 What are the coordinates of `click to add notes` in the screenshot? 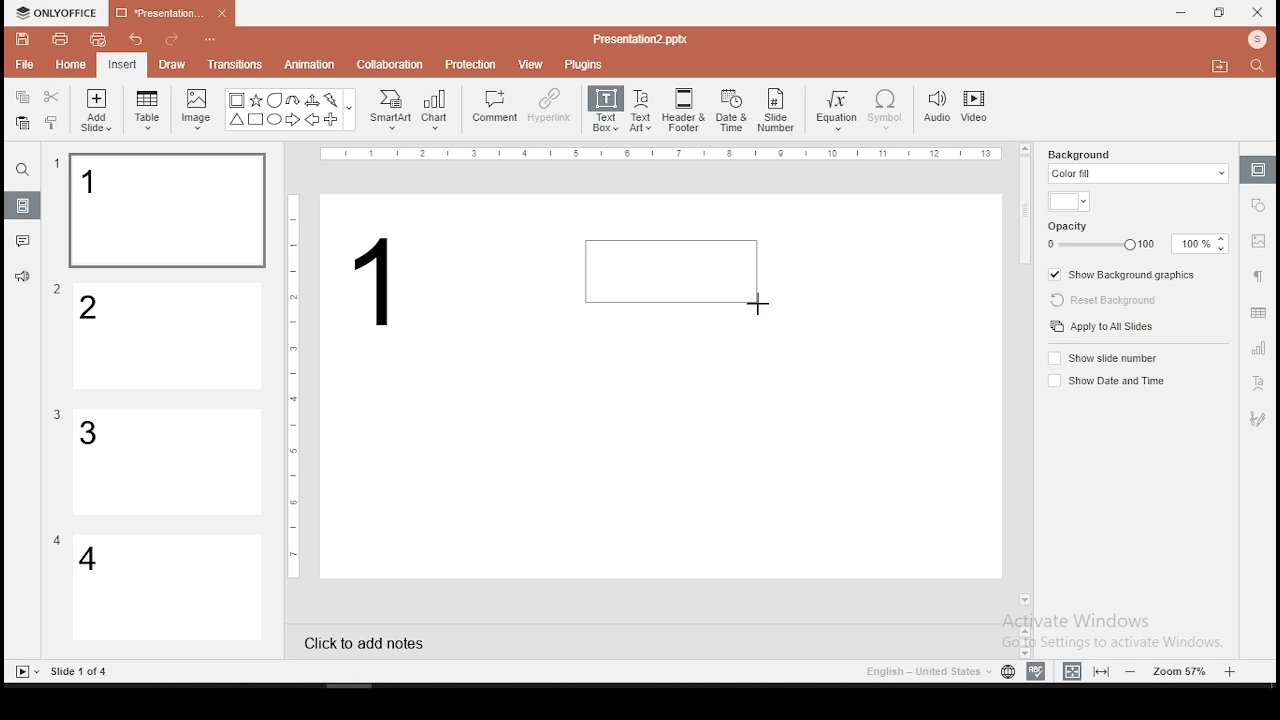 It's located at (370, 641).